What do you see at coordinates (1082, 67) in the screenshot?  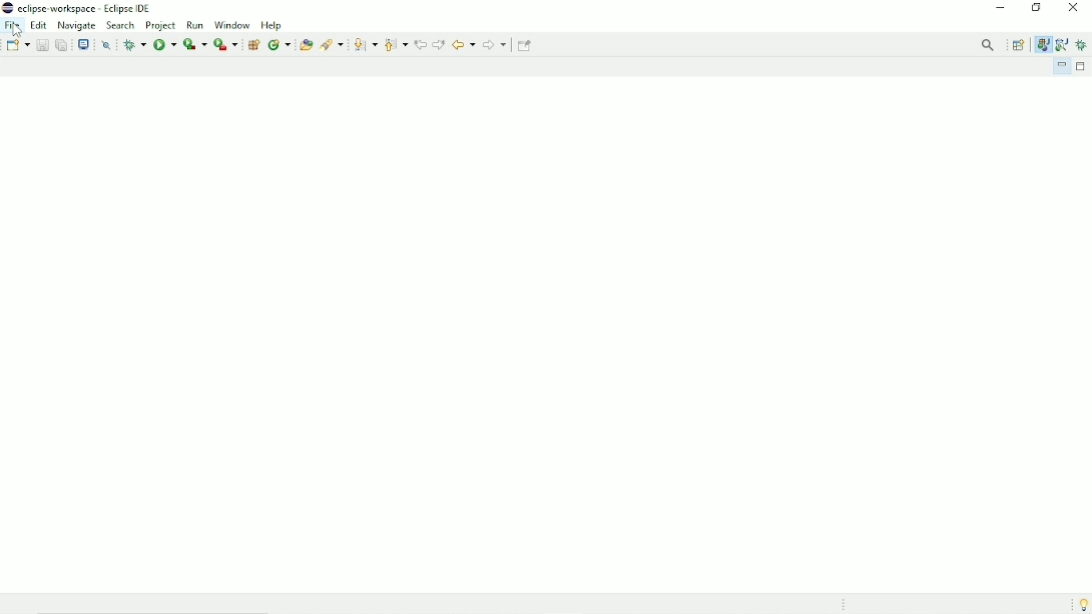 I see `Maximize` at bounding box center [1082, 67].